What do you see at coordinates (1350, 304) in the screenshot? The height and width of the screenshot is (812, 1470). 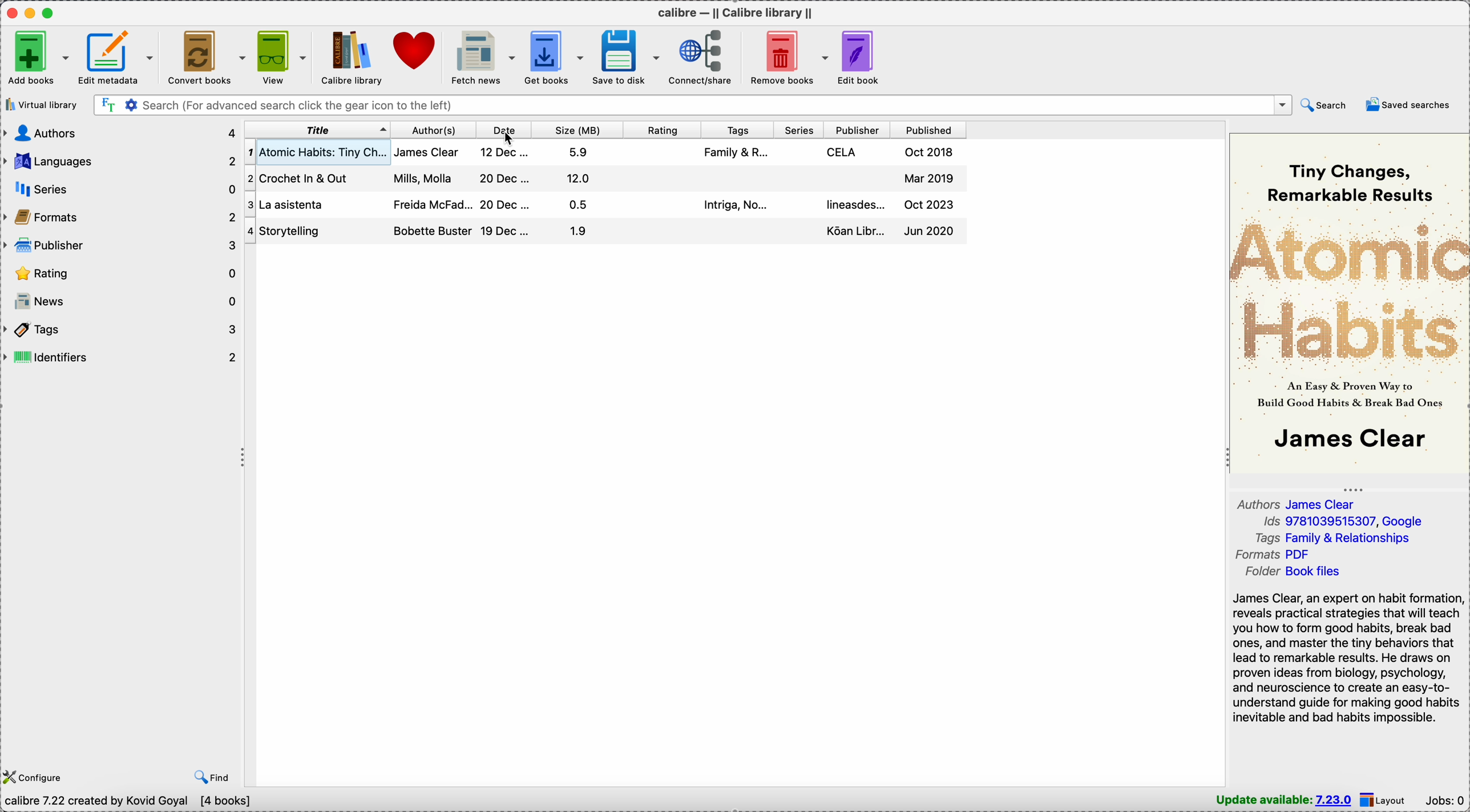 I see `book cover preview` at bounding box center [1350, 304].